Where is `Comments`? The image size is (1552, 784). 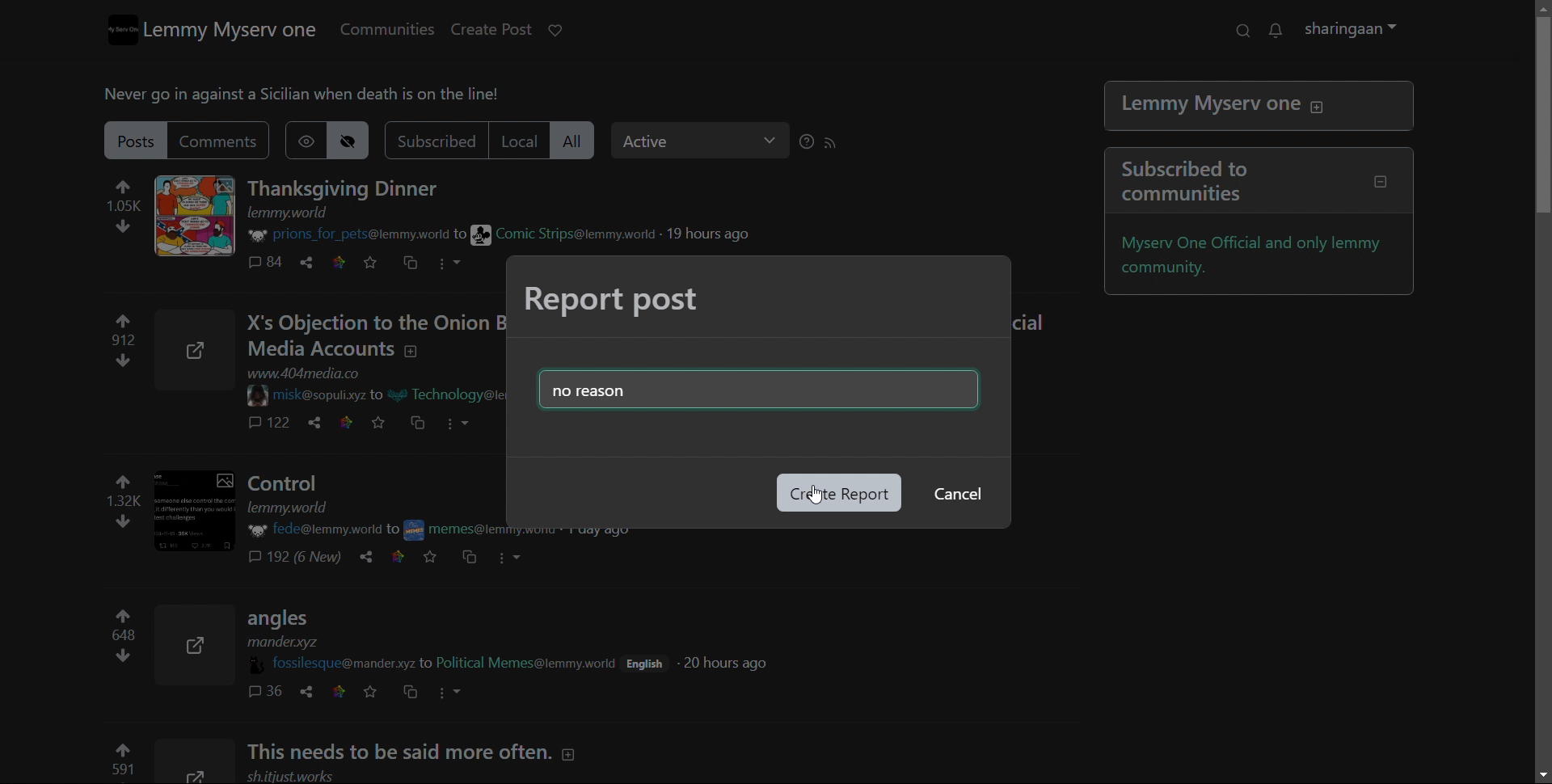
Comments is located at coordinates (308, 558).